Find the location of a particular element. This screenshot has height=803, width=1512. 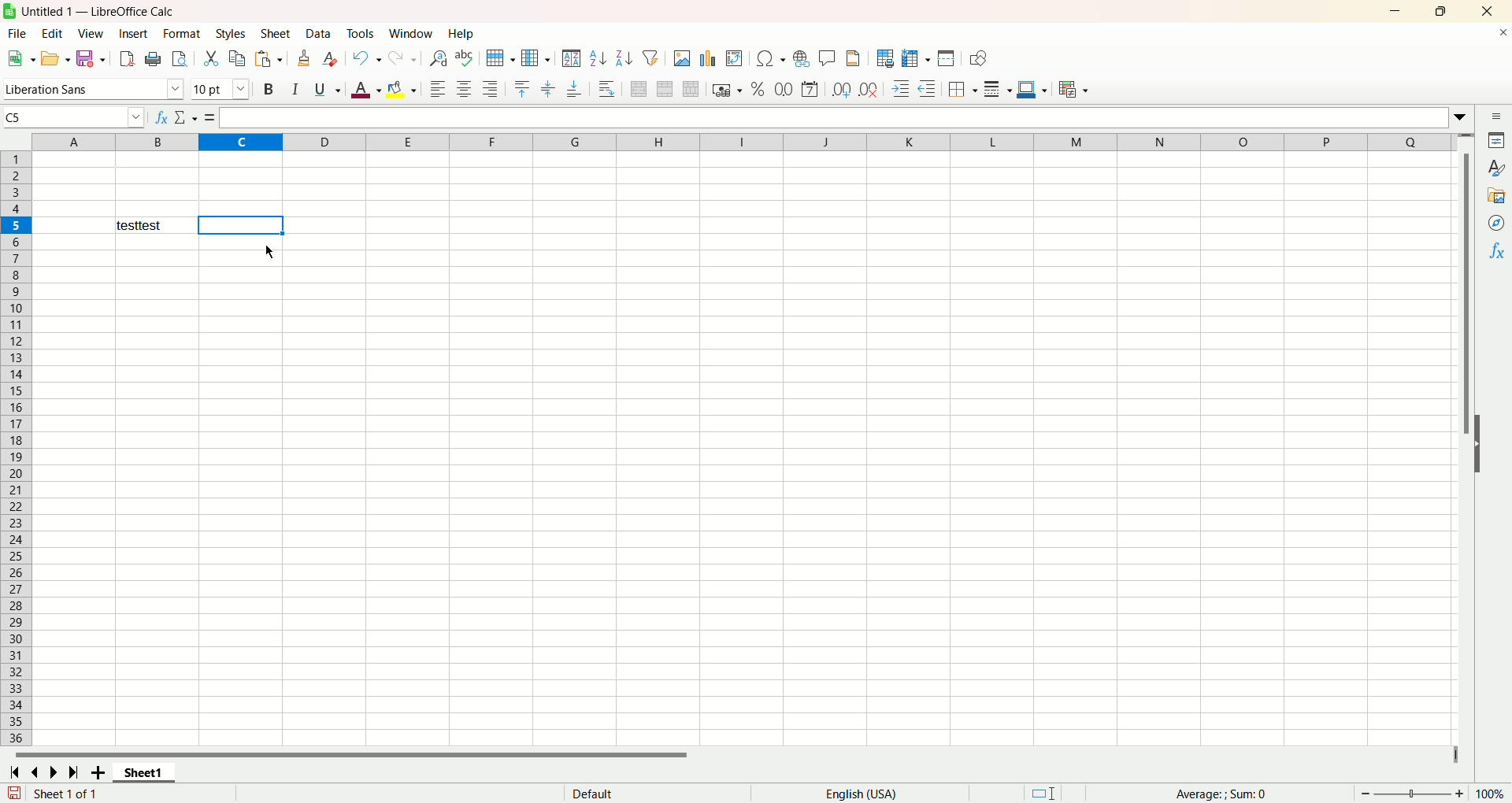

column is located at coordinates (239, 142).